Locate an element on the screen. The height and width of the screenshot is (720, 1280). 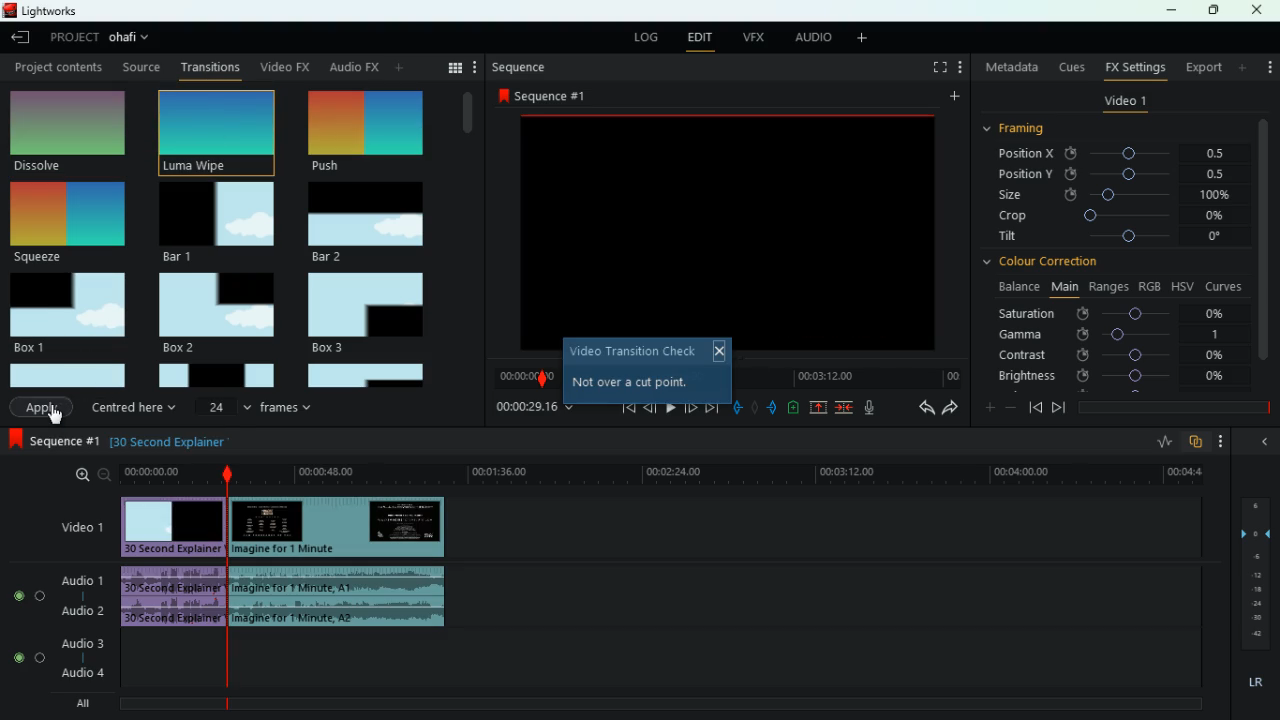
maximize is located at coordinates (1215, 10).